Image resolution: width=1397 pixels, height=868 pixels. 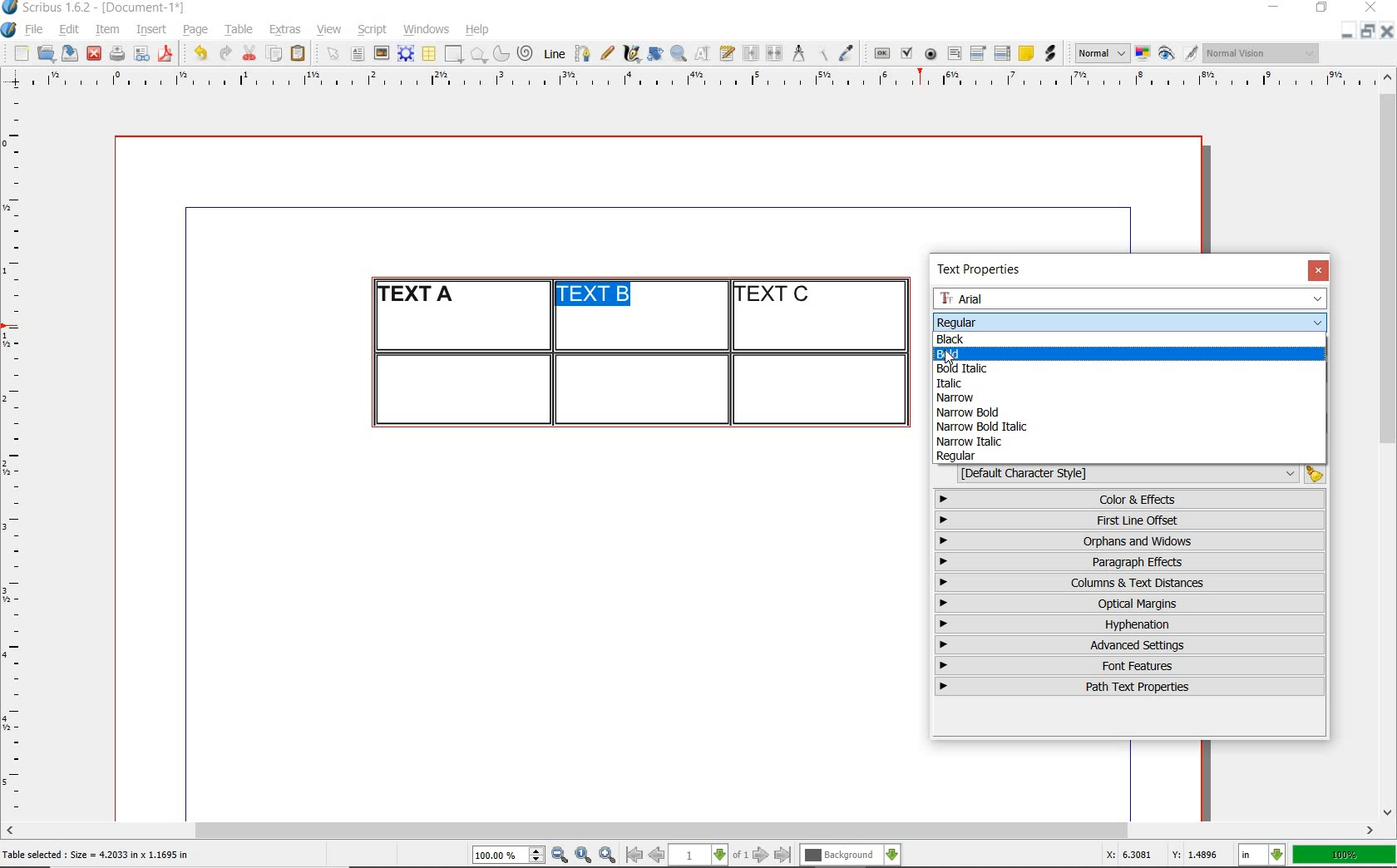 What do you see at coordinates (301, 54) in the screenshot?
I see `paste` at bounding box center [301, 54].